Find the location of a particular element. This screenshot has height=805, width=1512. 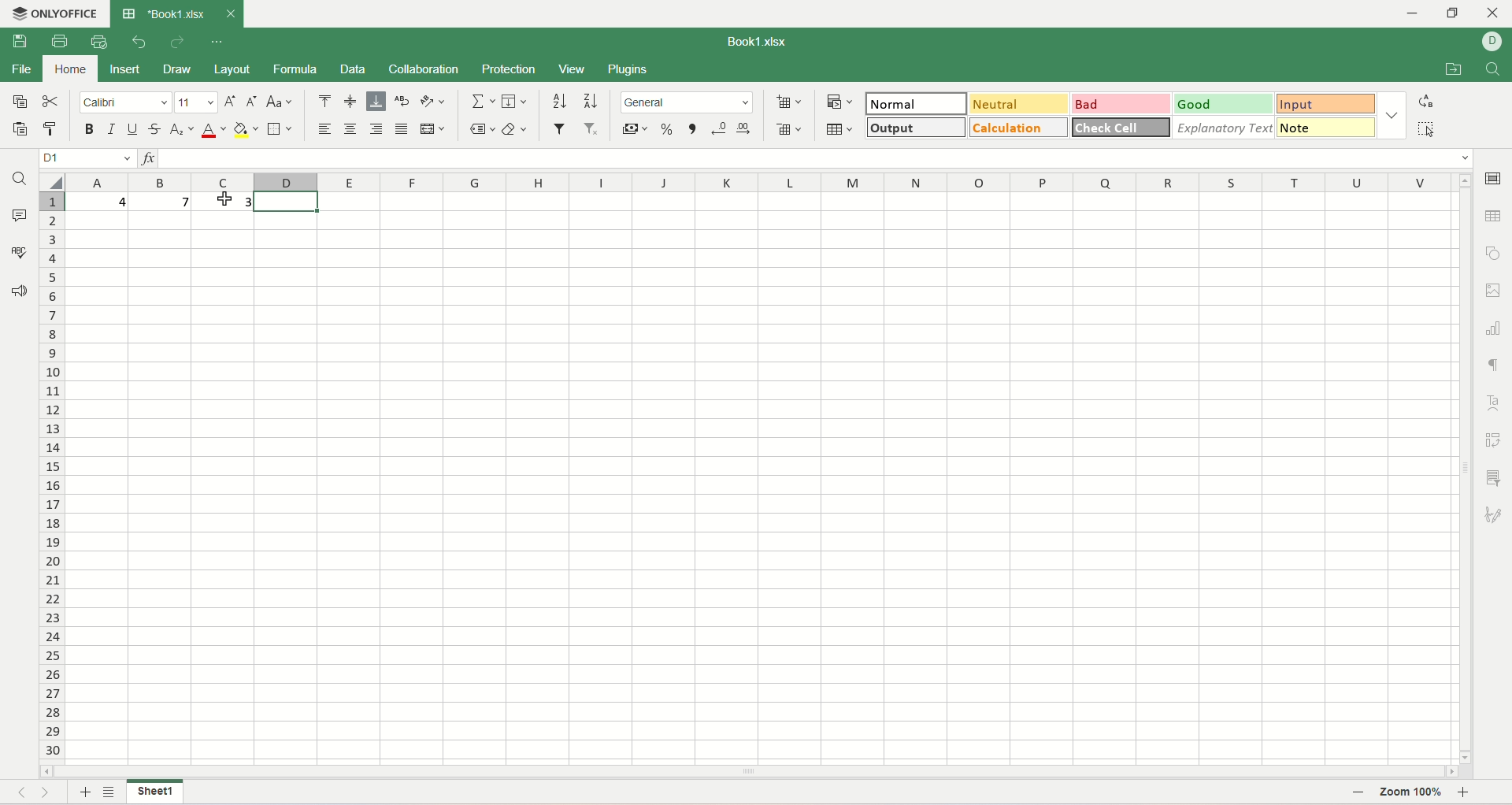

decrease size is located at coordinates (252, 101).